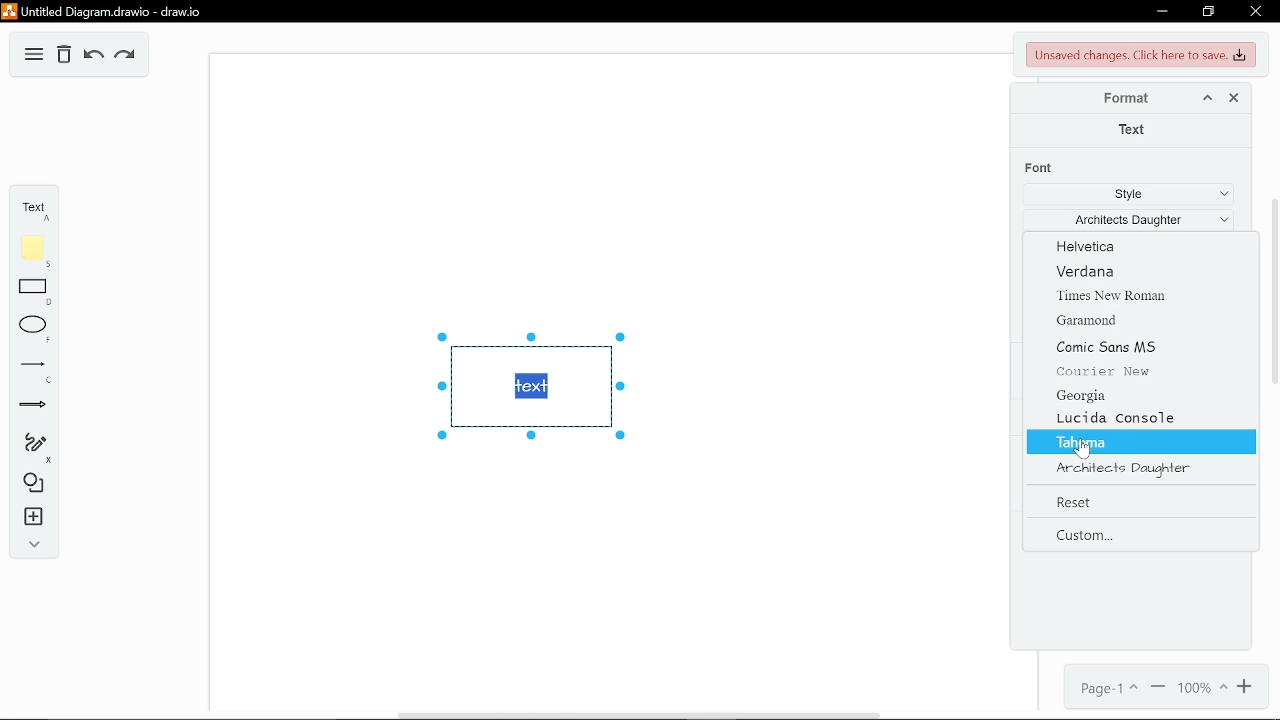 The width and height of the screenshot is (1280, 720). Describe the element at coordinates (28, 449) in the screenshot. I see `freehand` at that location.